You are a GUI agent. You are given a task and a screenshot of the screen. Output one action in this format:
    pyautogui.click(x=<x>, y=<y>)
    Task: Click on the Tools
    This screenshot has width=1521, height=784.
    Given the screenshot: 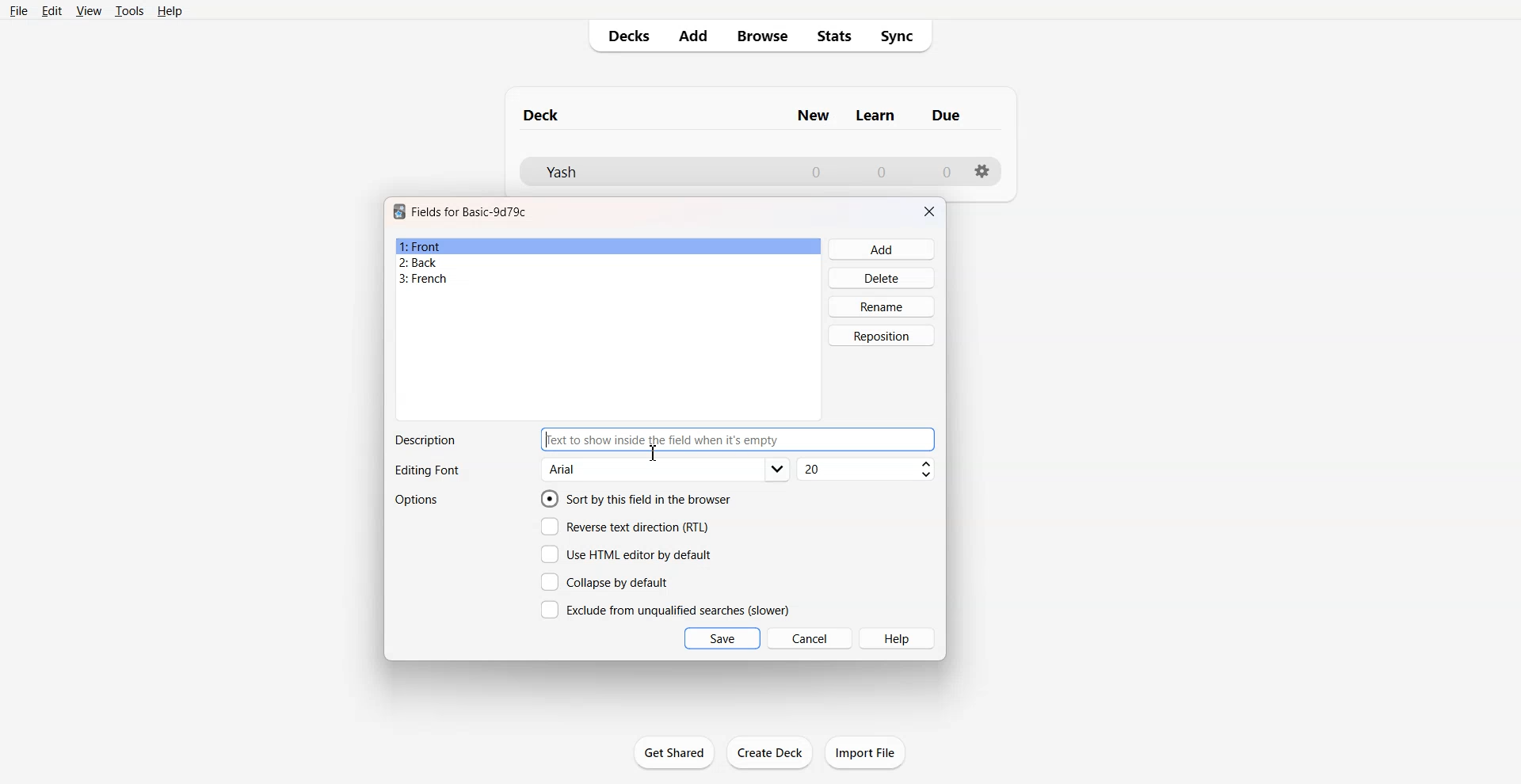 What is the action you would take?
    pyautogui.click(x=129, y=10)
    